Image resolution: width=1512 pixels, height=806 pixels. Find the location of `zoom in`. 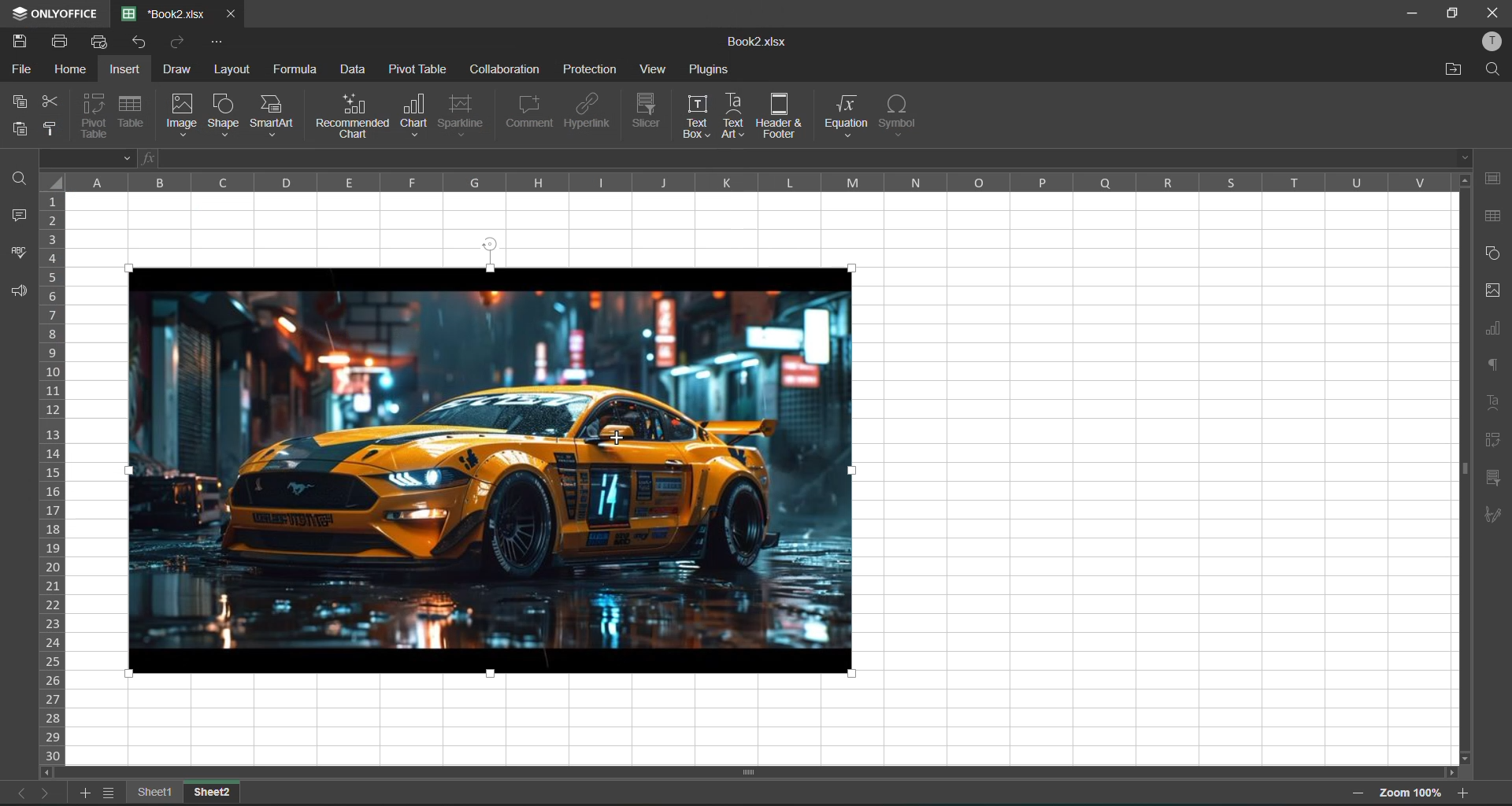

zoom in is located at coordinates (1464, 790).